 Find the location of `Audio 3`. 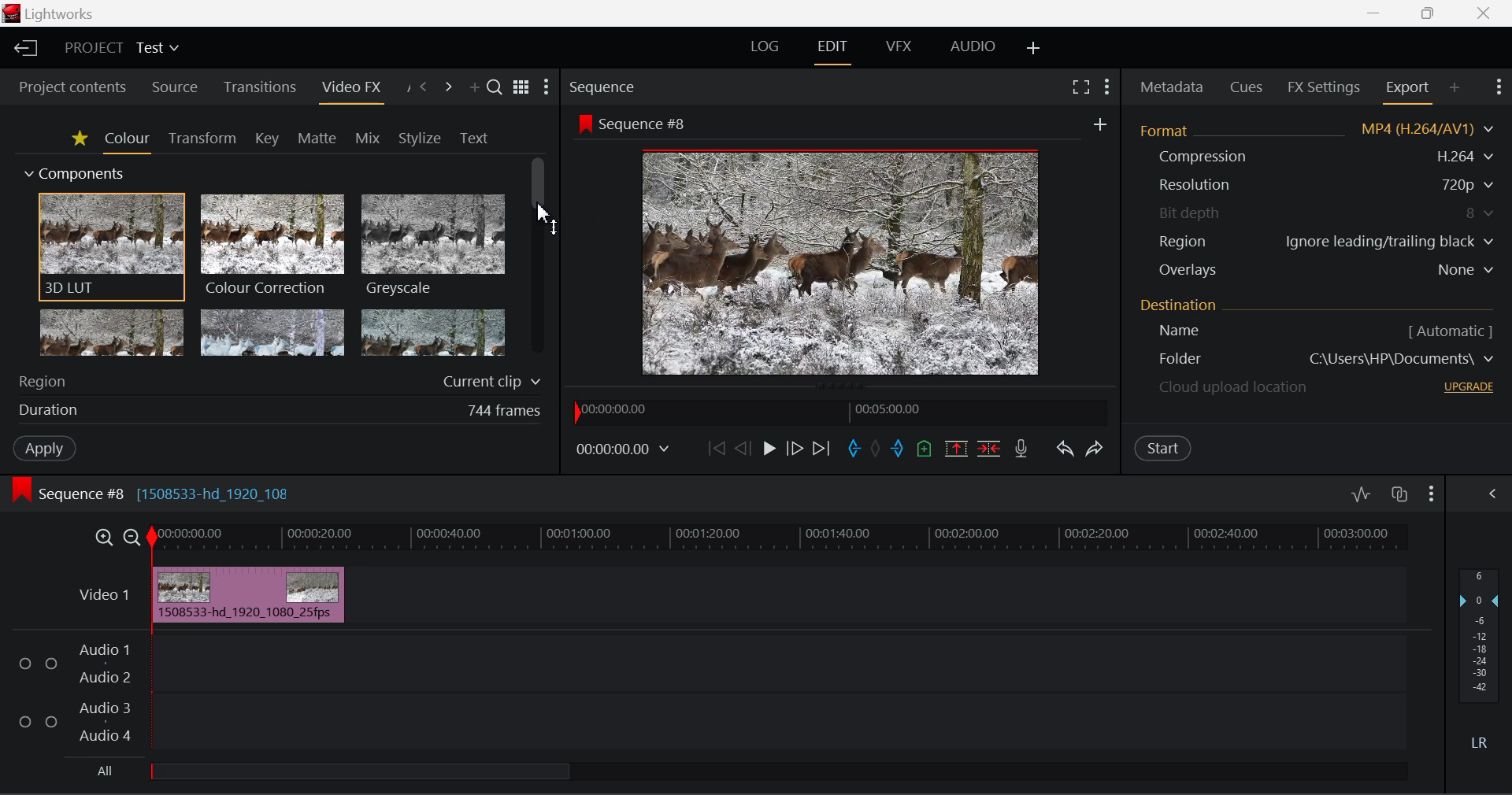

Audio 3 is located at coordinates (102, 708).